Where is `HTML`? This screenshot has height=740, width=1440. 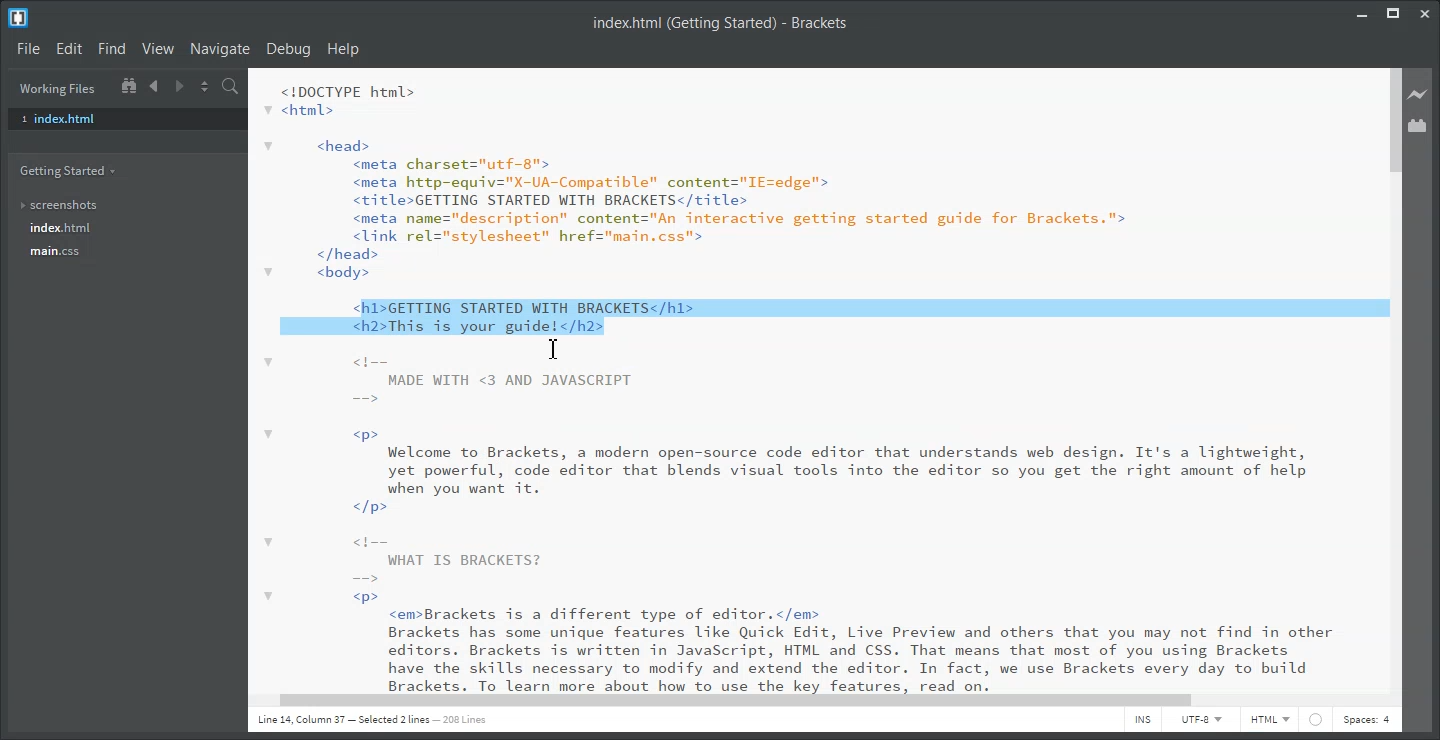
HTML is located at coordinates (1271, 721).